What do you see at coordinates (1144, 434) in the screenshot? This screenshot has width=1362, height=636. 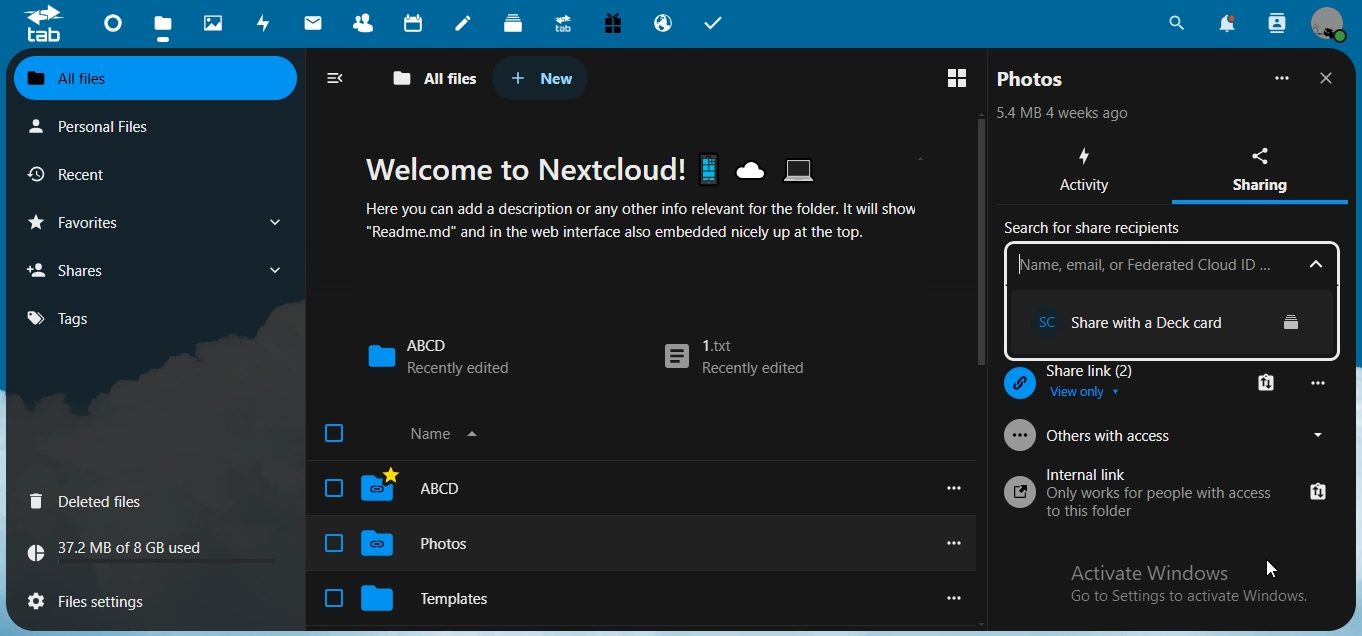 I see `others with access` at bounding box center [1144, 434].